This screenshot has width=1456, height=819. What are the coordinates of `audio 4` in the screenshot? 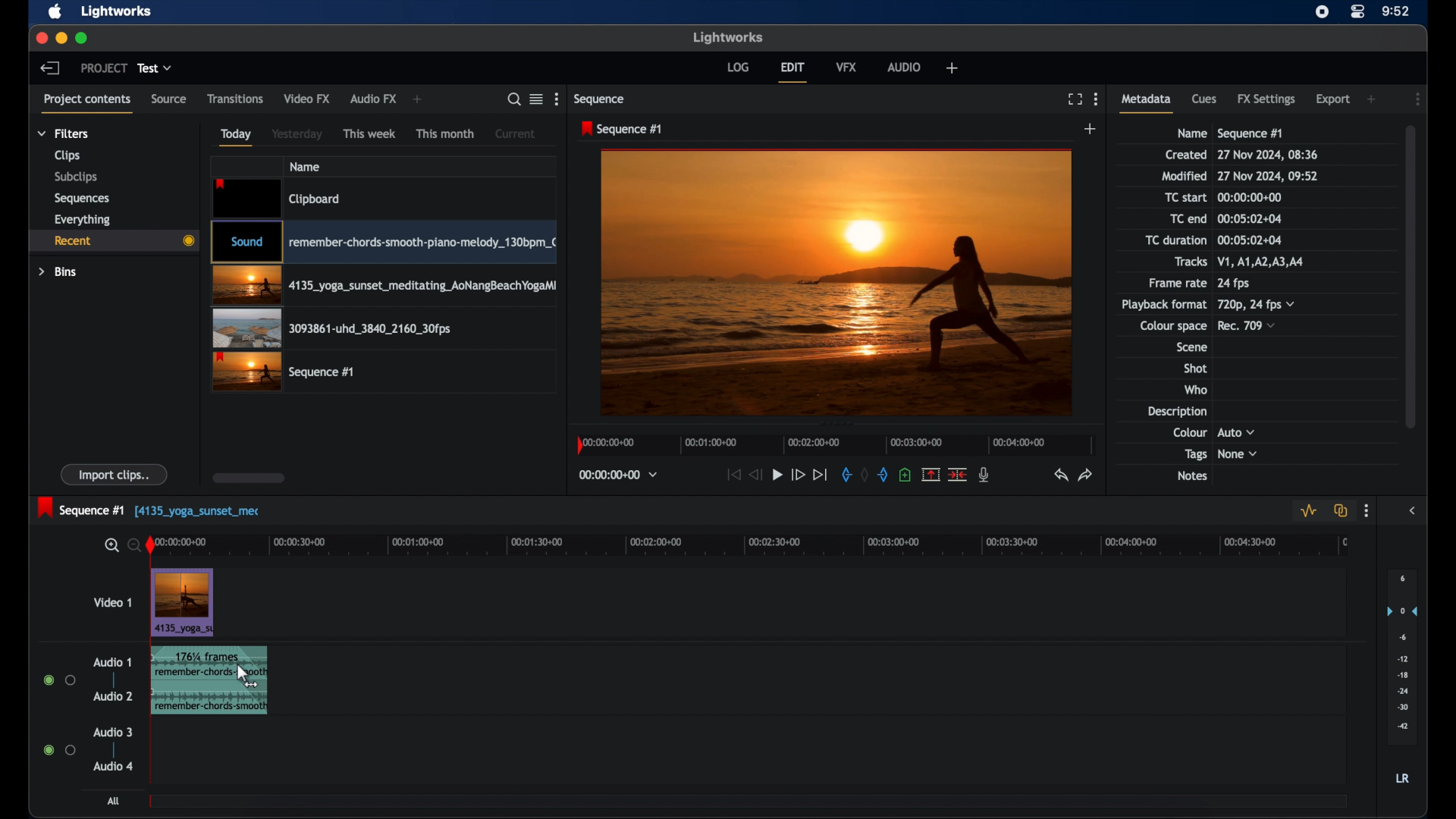 It's located at (114, 767).